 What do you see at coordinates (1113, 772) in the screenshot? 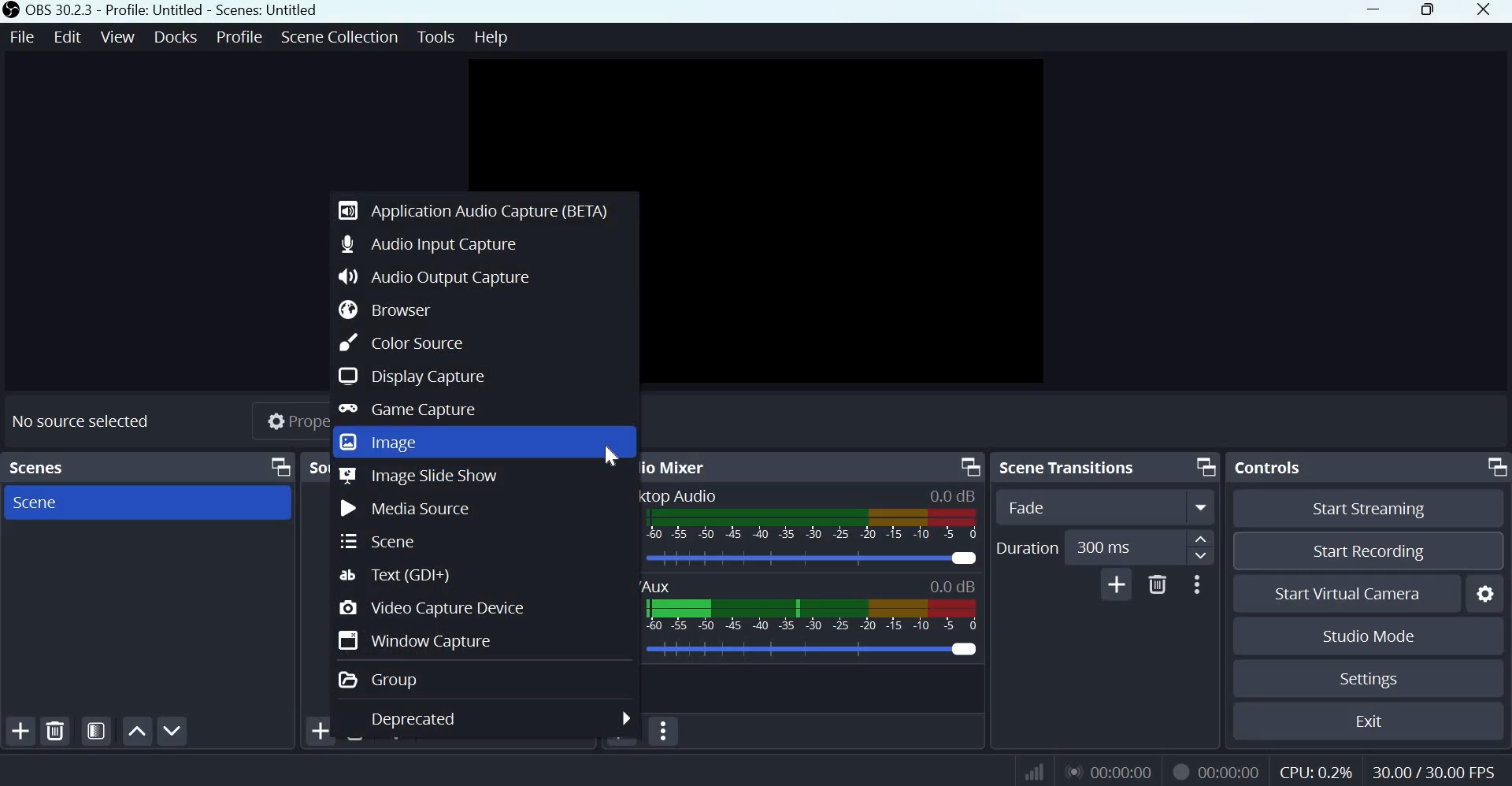
I see `00:00:00` at bounding box center [1113, 772].